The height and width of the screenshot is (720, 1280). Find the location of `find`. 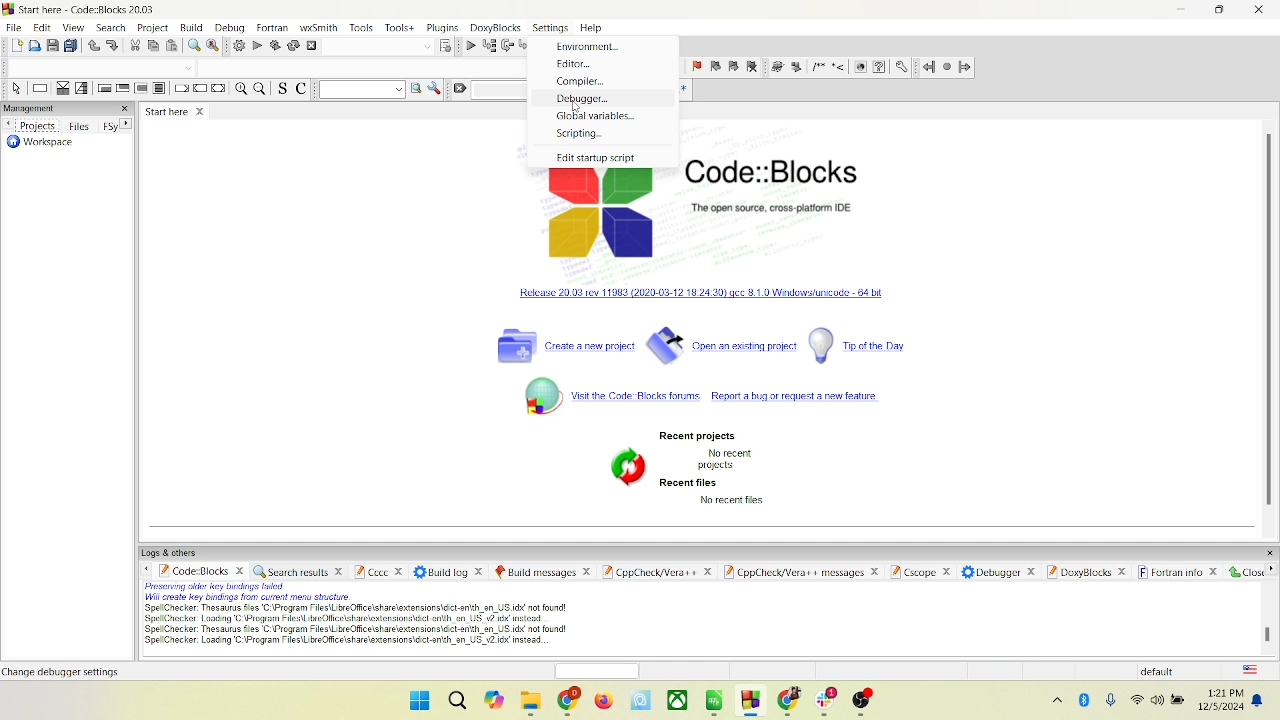

find is located at coordinates (192, 45).